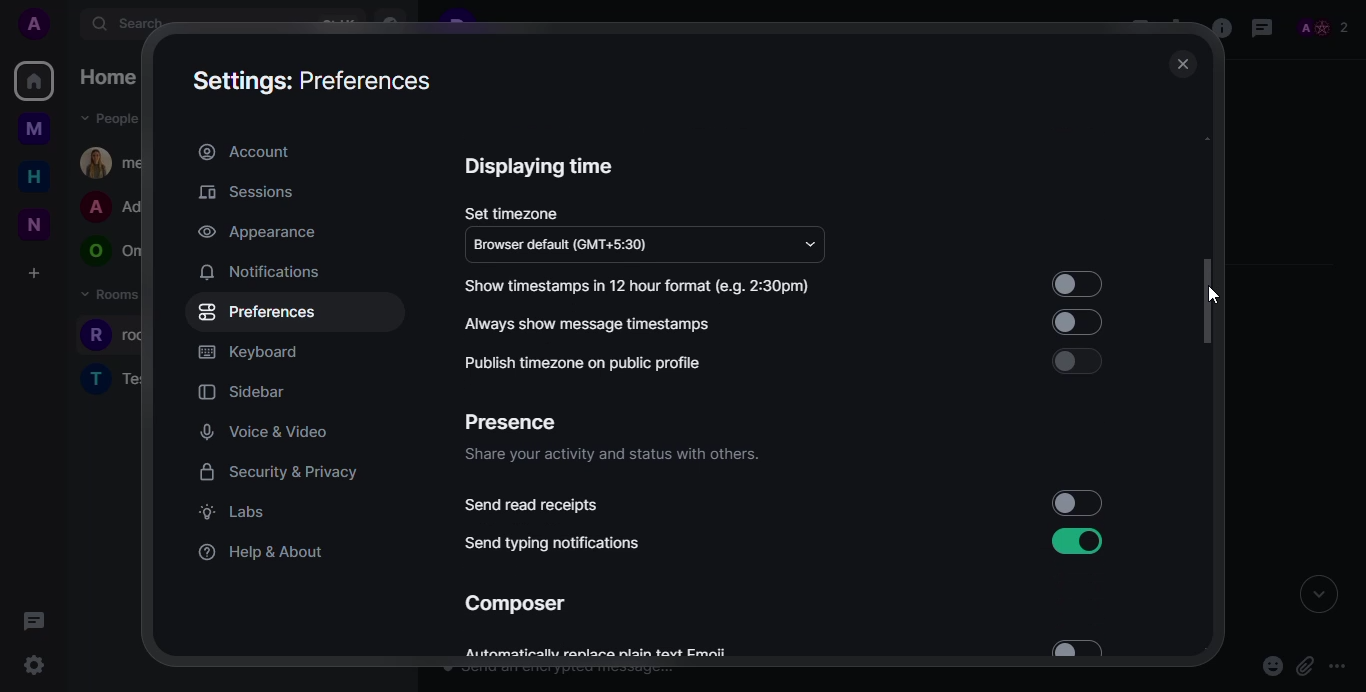 This screenshot has height=692, width=1366. I want to click on Toggle button, so click(1069, 543).